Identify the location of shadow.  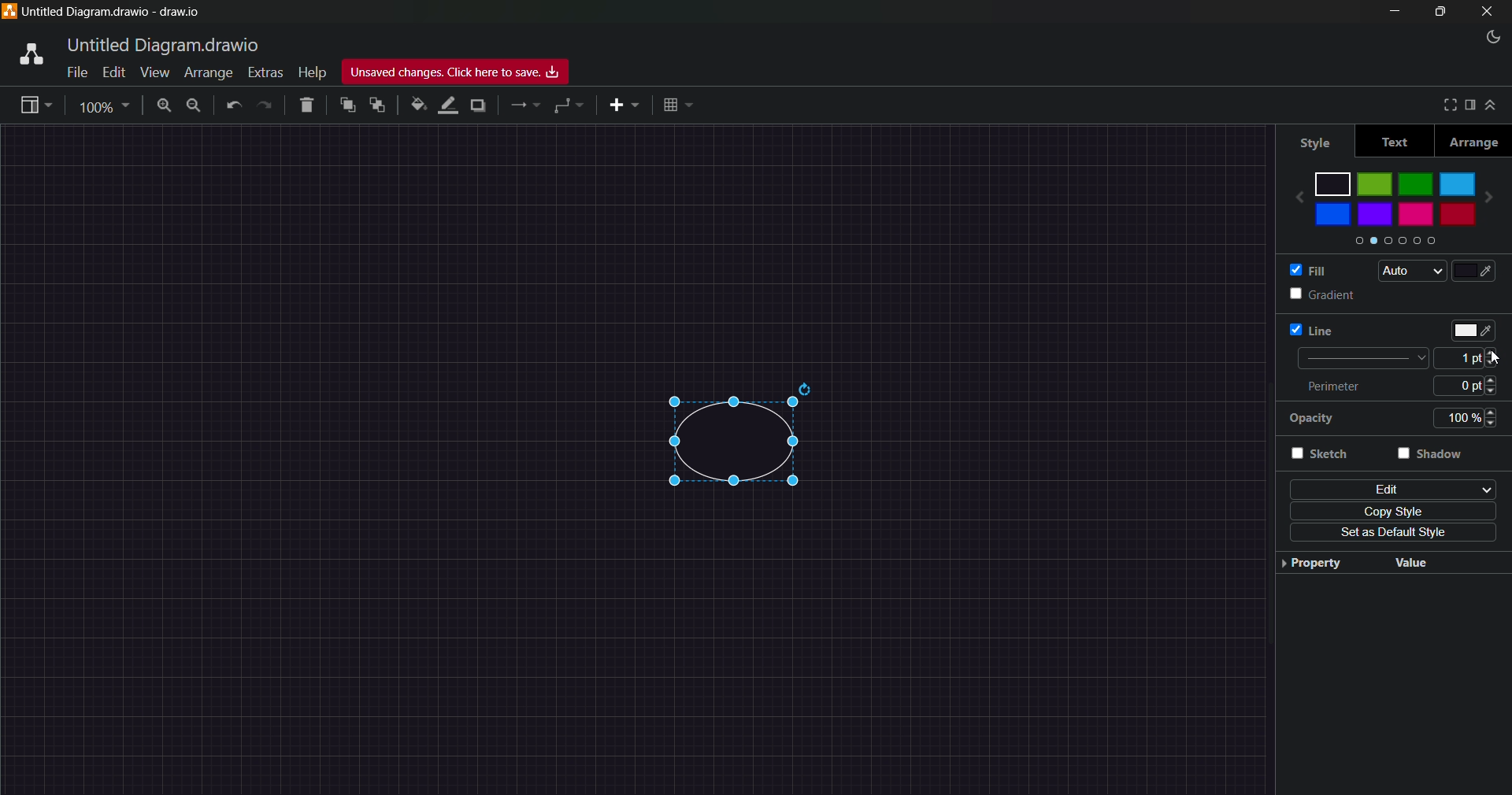
(481, 105).